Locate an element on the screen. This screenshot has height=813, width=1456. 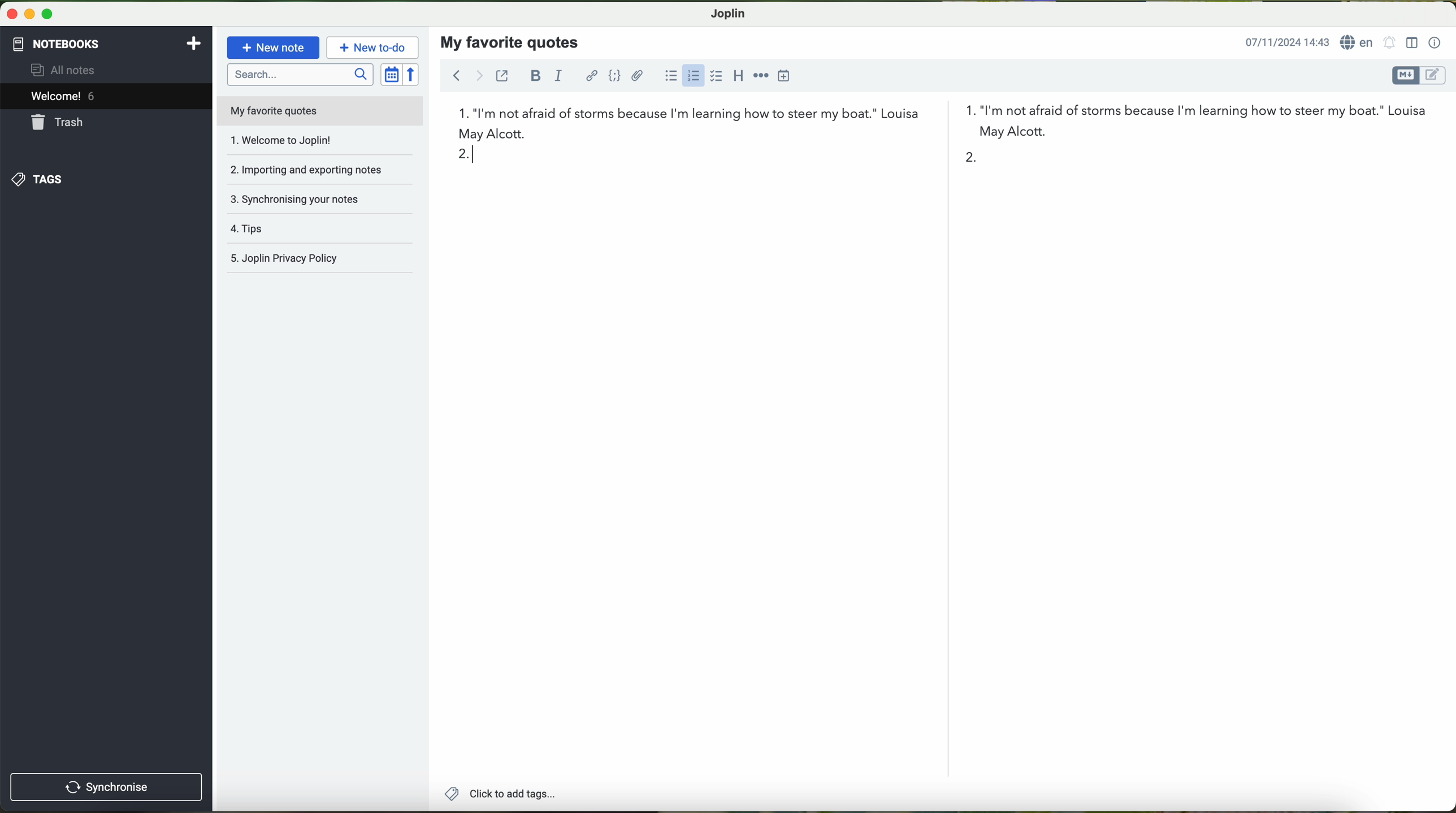
2 in the list is located at coordinates (716, 156).